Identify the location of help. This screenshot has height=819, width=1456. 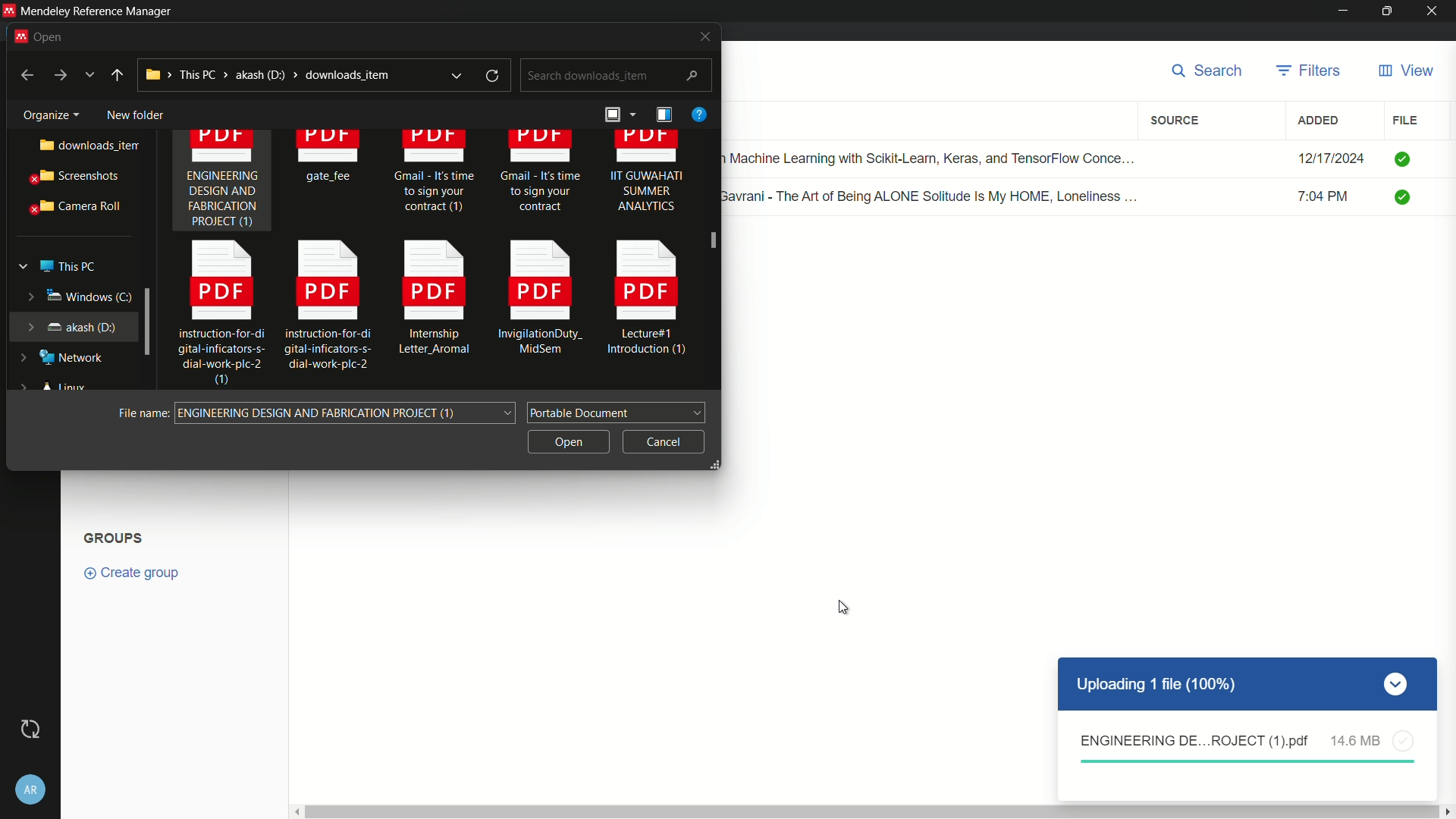
(698, 114).